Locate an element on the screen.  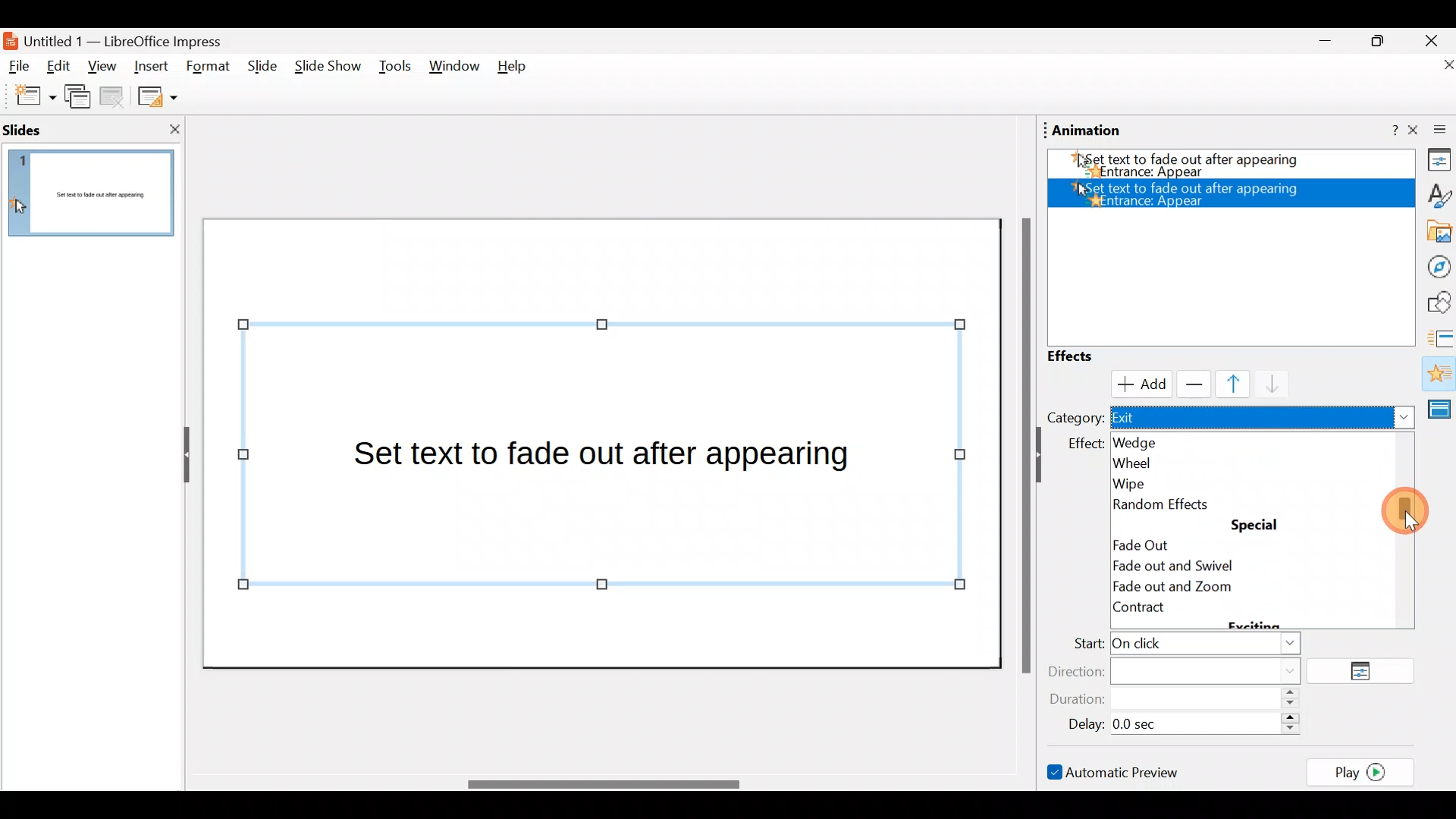
Contract is located at coordinates (1174, 613).